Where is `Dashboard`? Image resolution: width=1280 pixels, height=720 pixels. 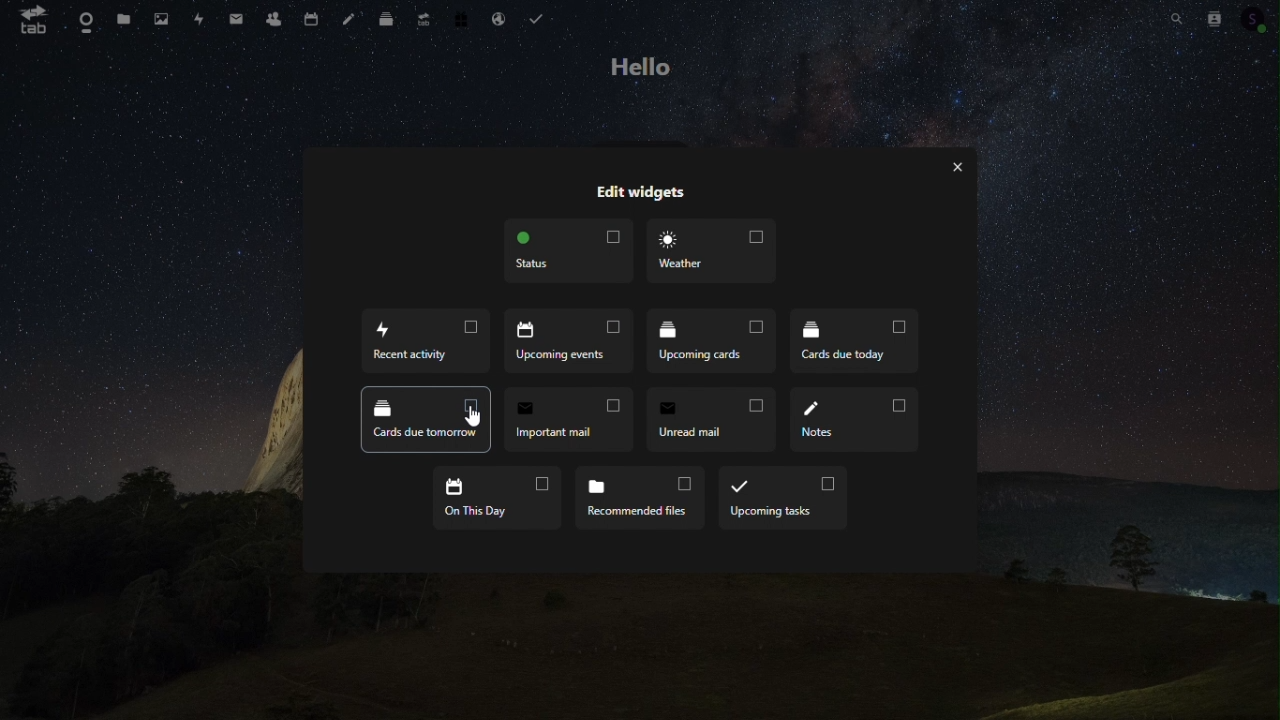
Dashboard is located at coordinates (83, 21).